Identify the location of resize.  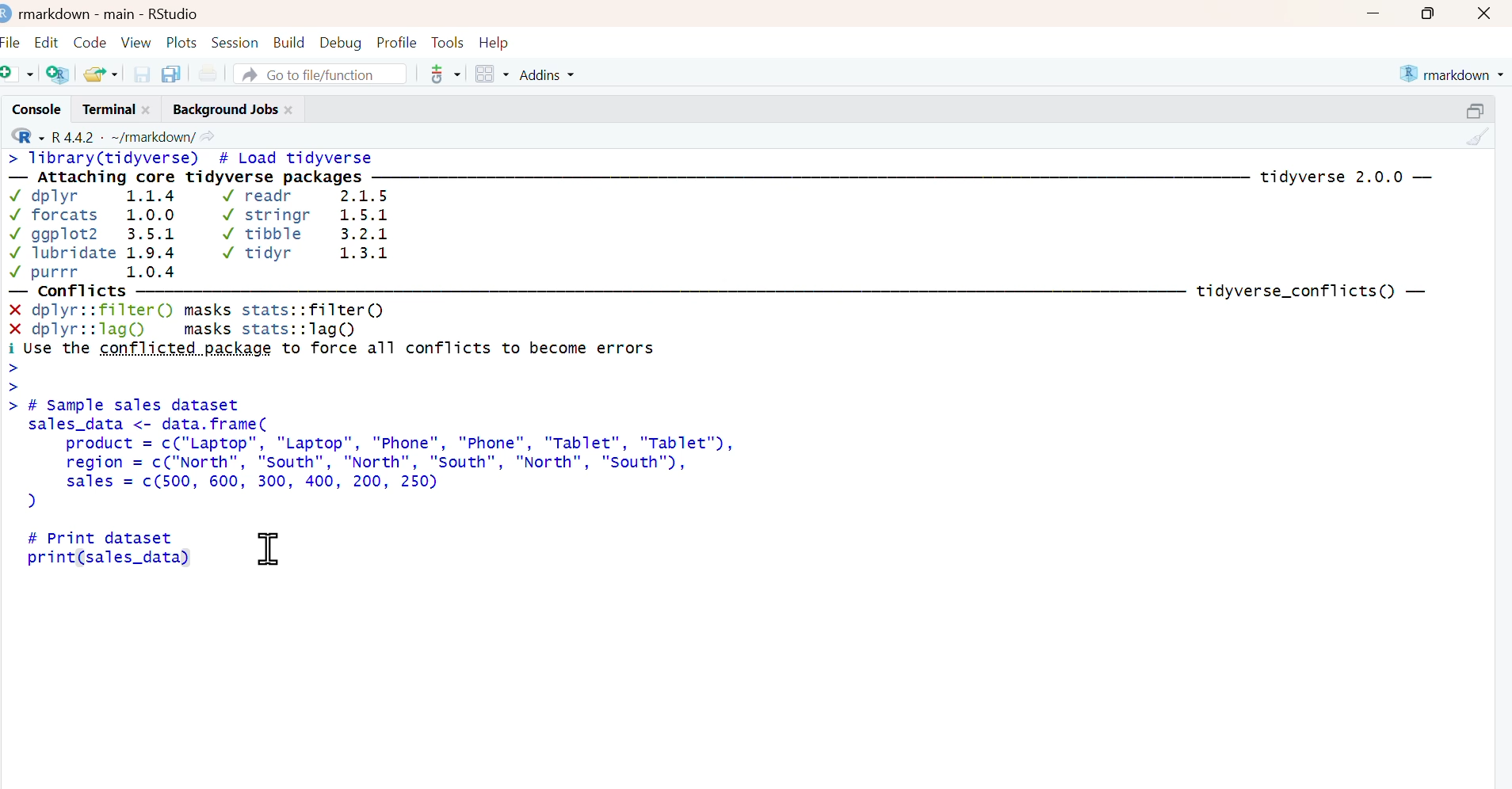
(1480, 108).